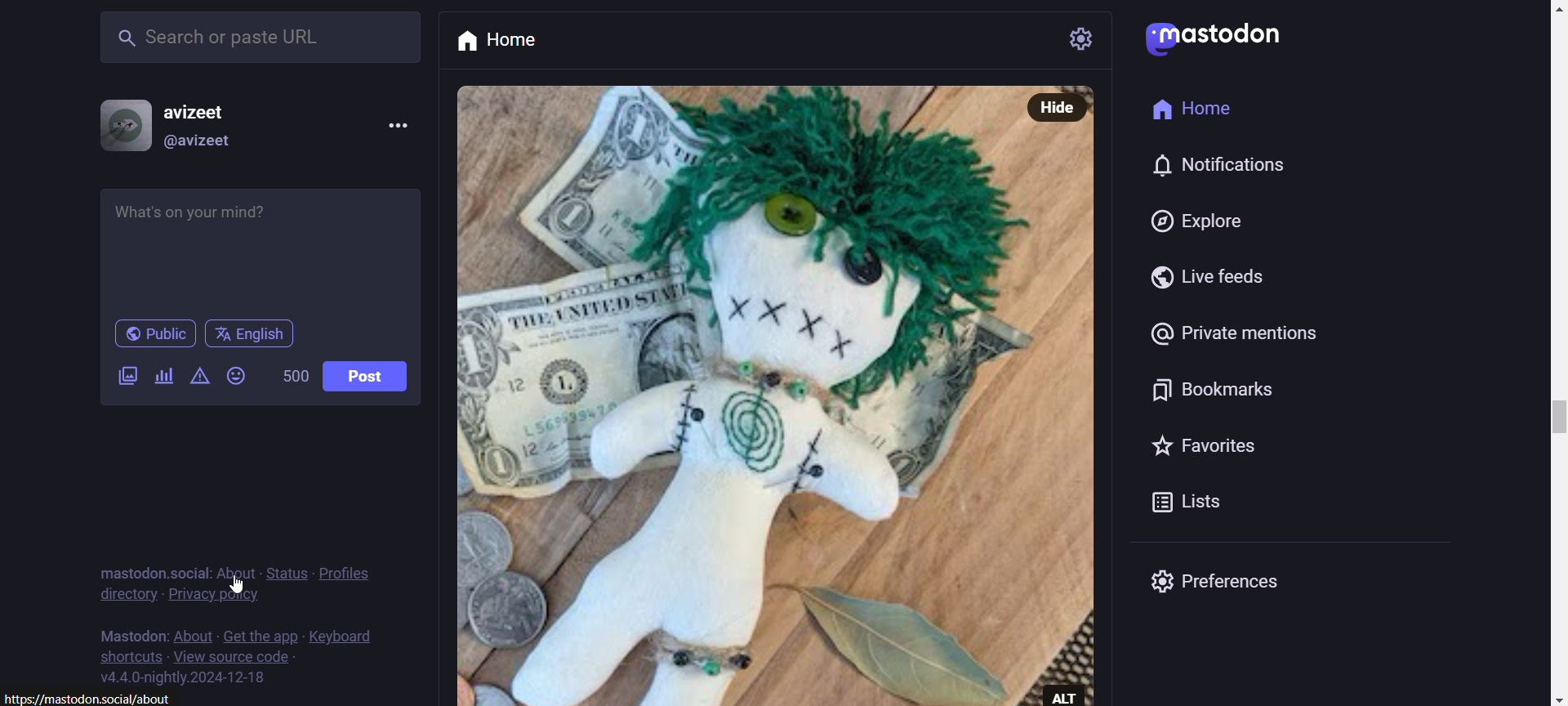 The image size is (1568, 706). Describe the element at coordinates (1189, 223) in the screenshot. I see `explore` at that location.